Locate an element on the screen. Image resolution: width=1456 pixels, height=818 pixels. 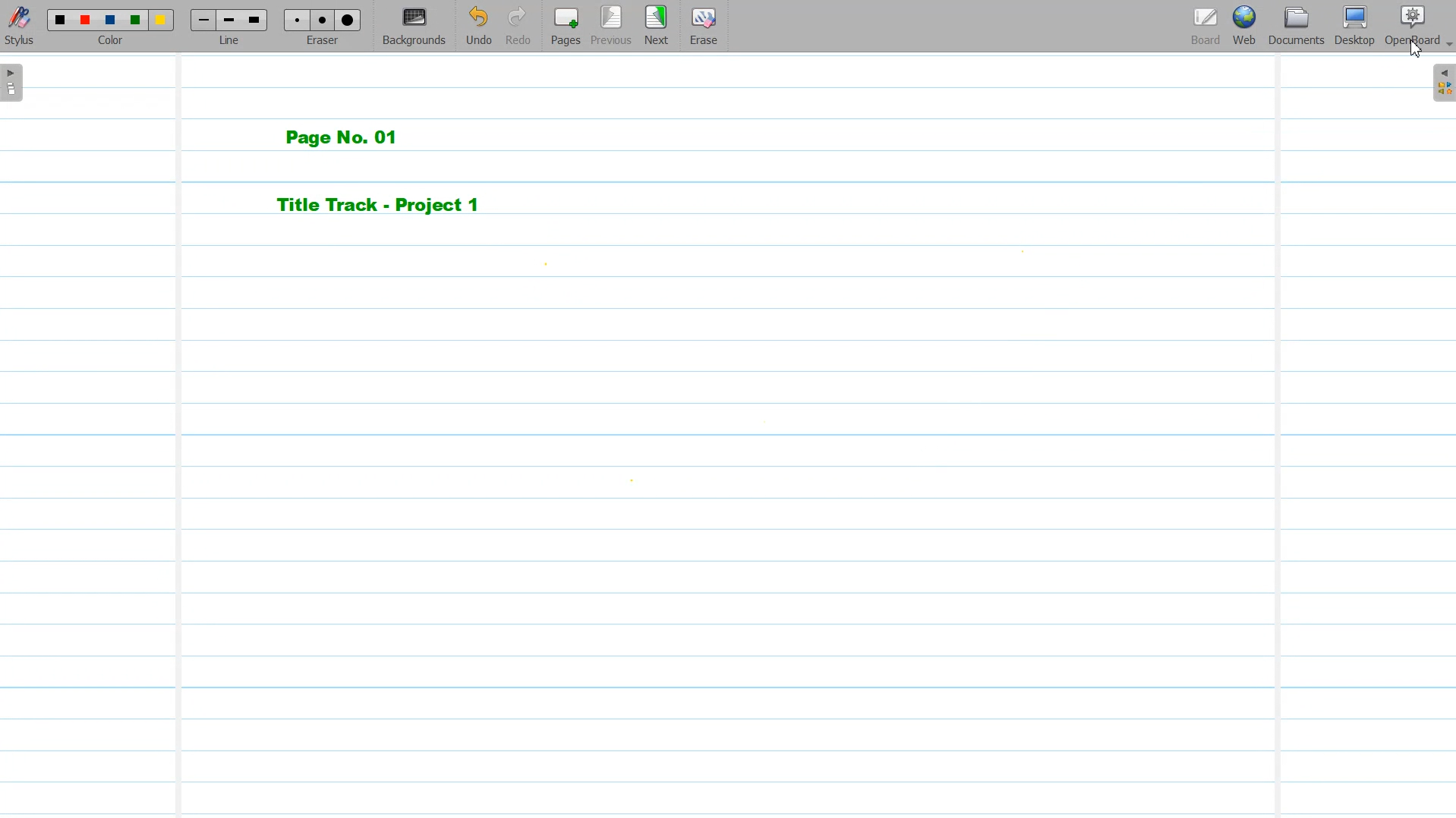
Previous is located at coordinates (612, 26).